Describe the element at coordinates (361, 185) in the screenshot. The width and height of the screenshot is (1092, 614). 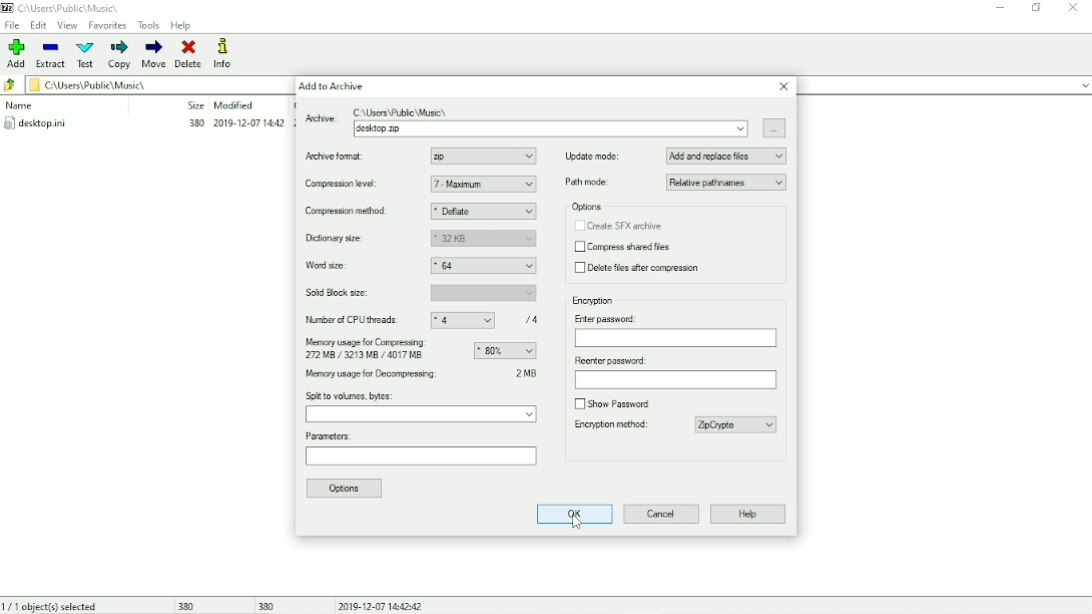
I see `Compression level` at that location.